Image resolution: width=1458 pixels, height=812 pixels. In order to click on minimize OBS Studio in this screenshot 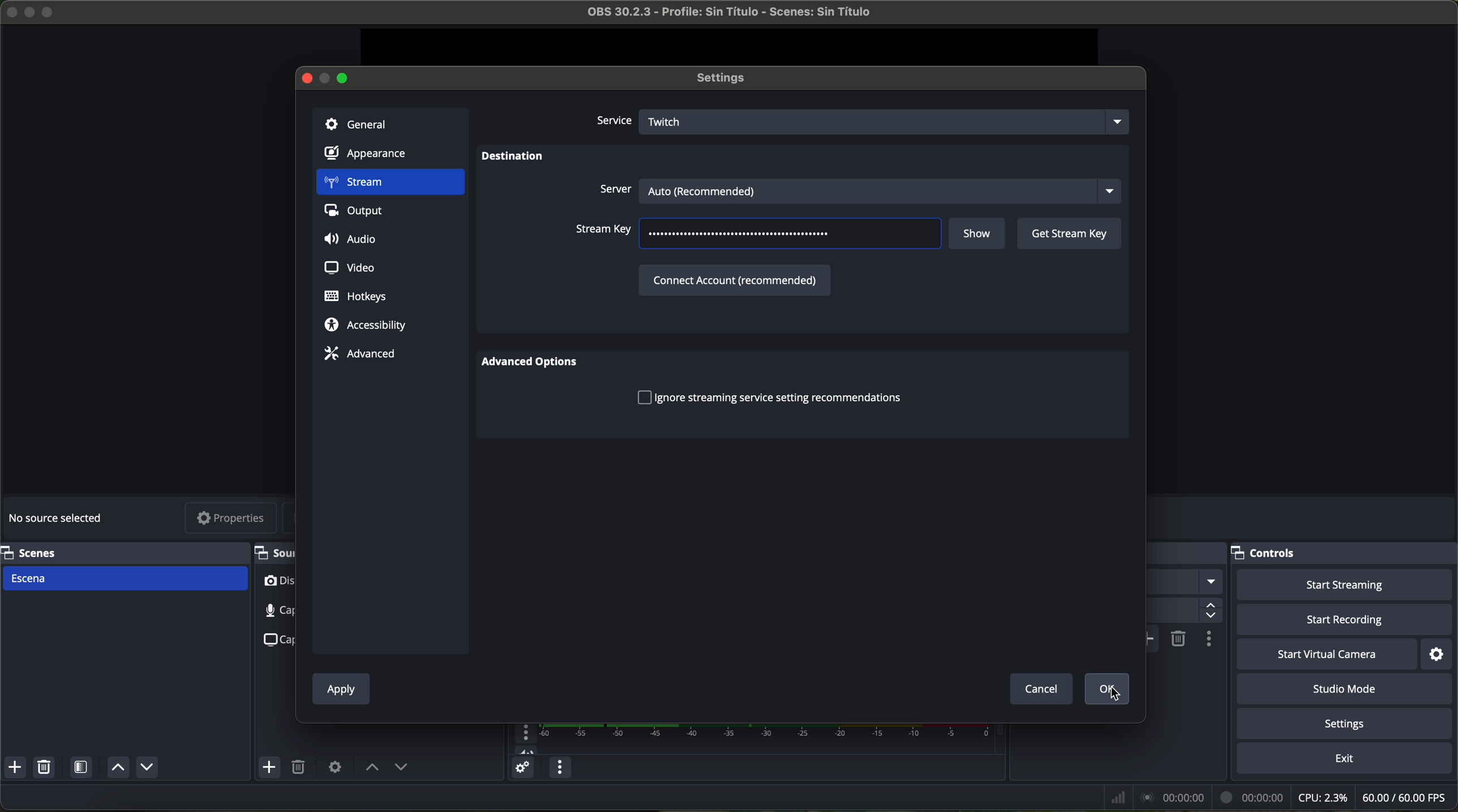, I will do `click(32, 11)`.